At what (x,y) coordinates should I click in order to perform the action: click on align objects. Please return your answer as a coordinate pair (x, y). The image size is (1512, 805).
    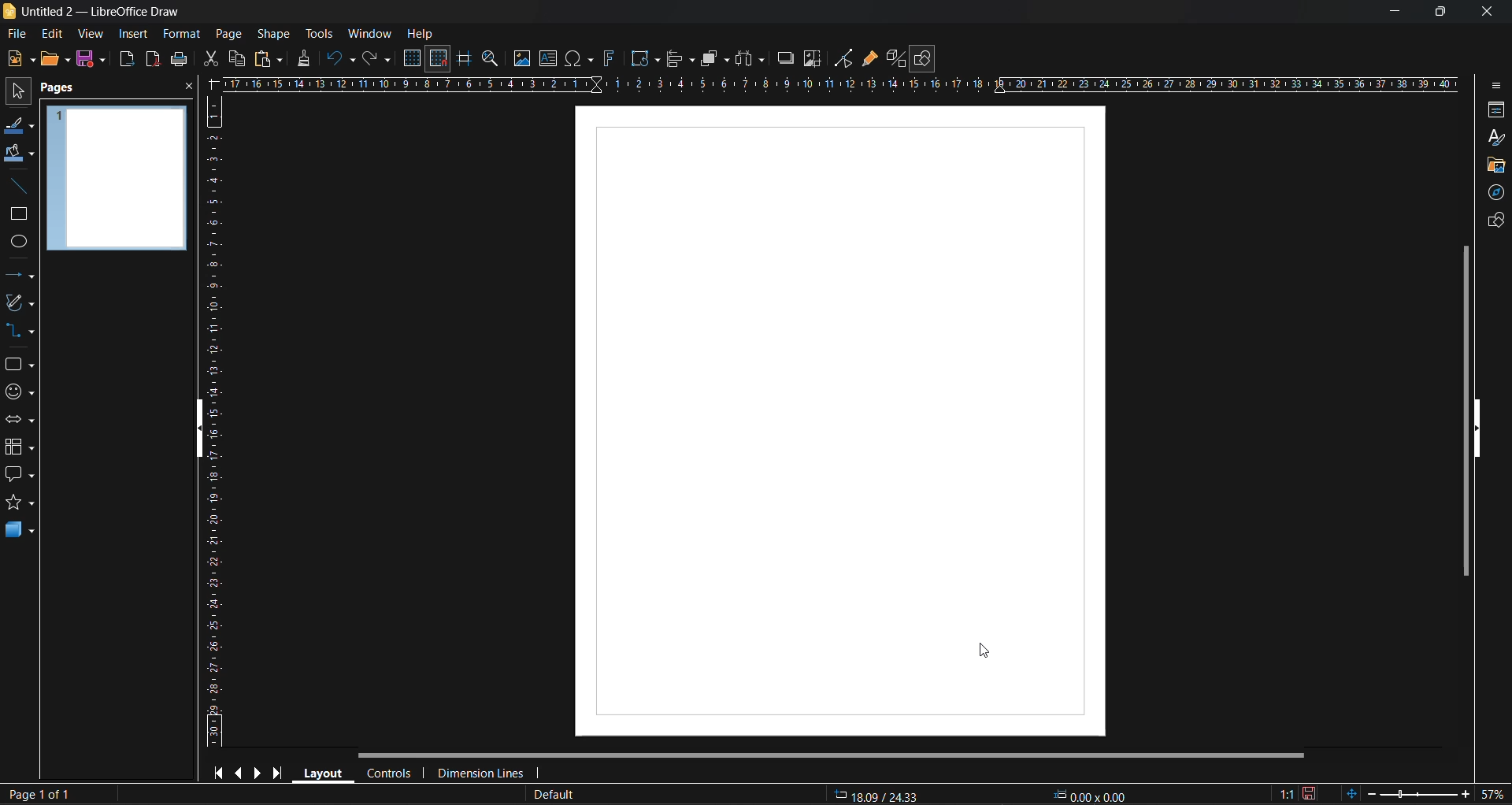
    Looking at the image, I should click on (681, 61).